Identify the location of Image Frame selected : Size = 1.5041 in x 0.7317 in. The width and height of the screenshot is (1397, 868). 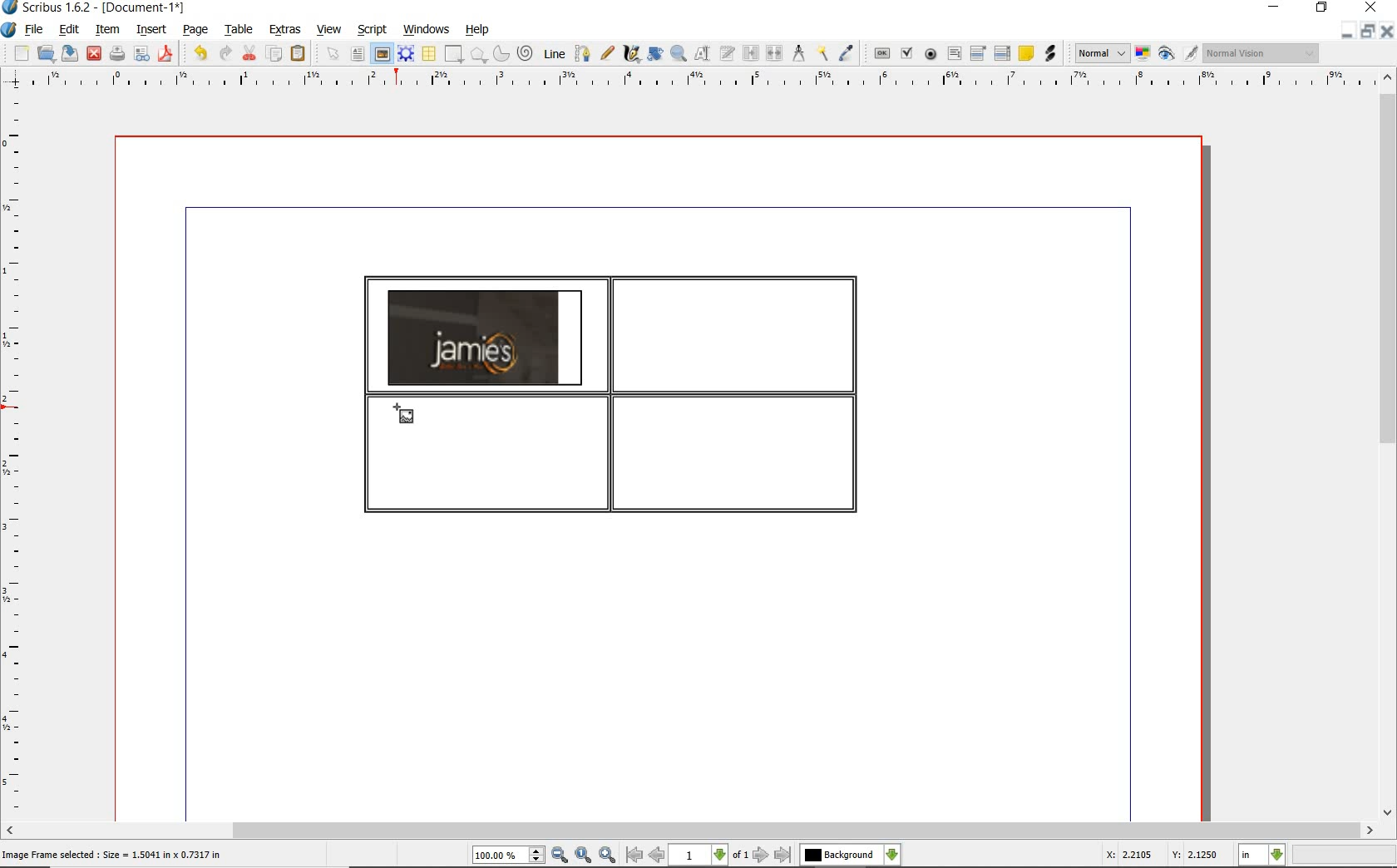
(112, 853).